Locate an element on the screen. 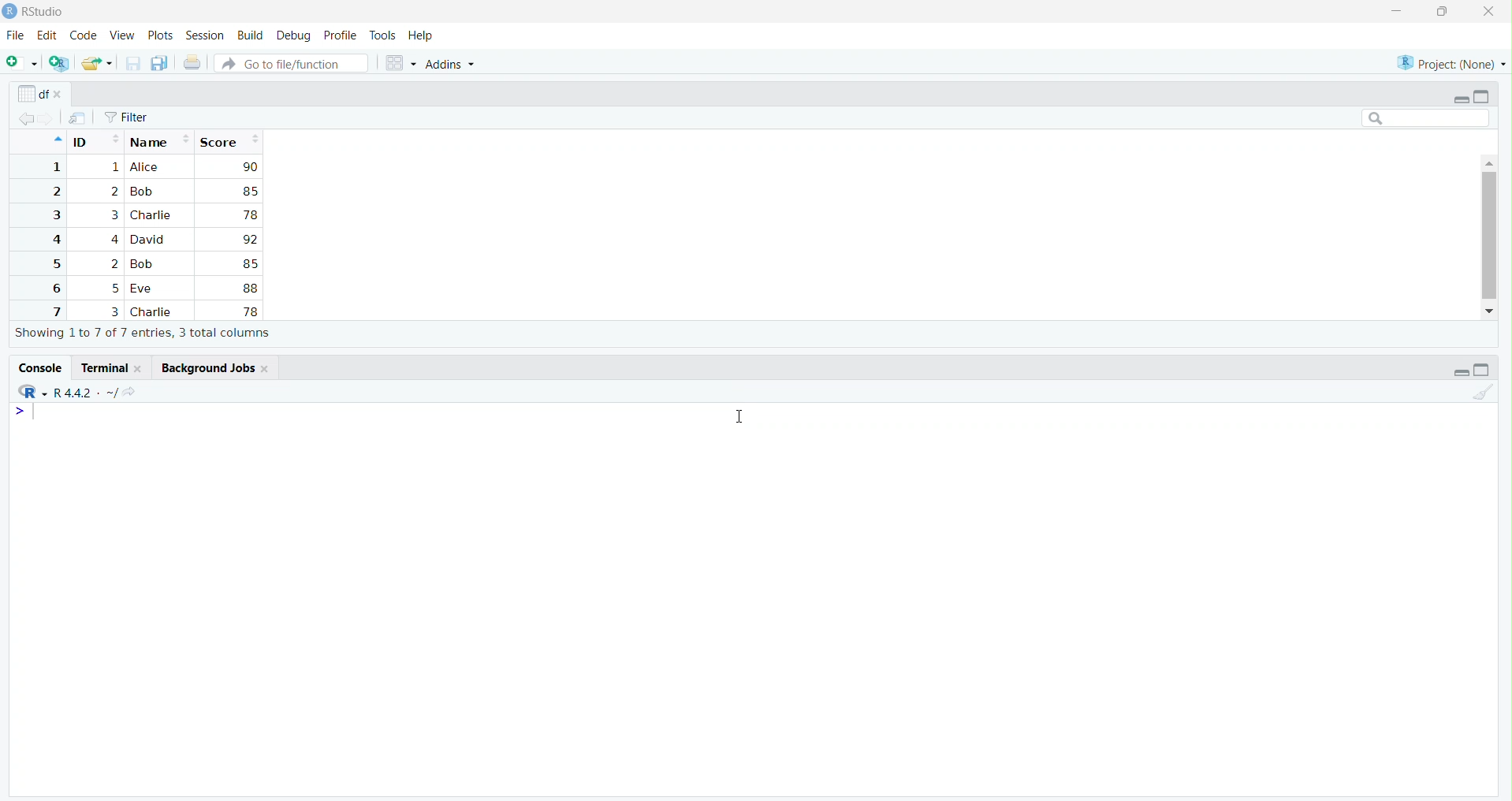 Image resolution: width=1512 pixels, height=801 pixels. Charlie is located at coordinates (152, 215).